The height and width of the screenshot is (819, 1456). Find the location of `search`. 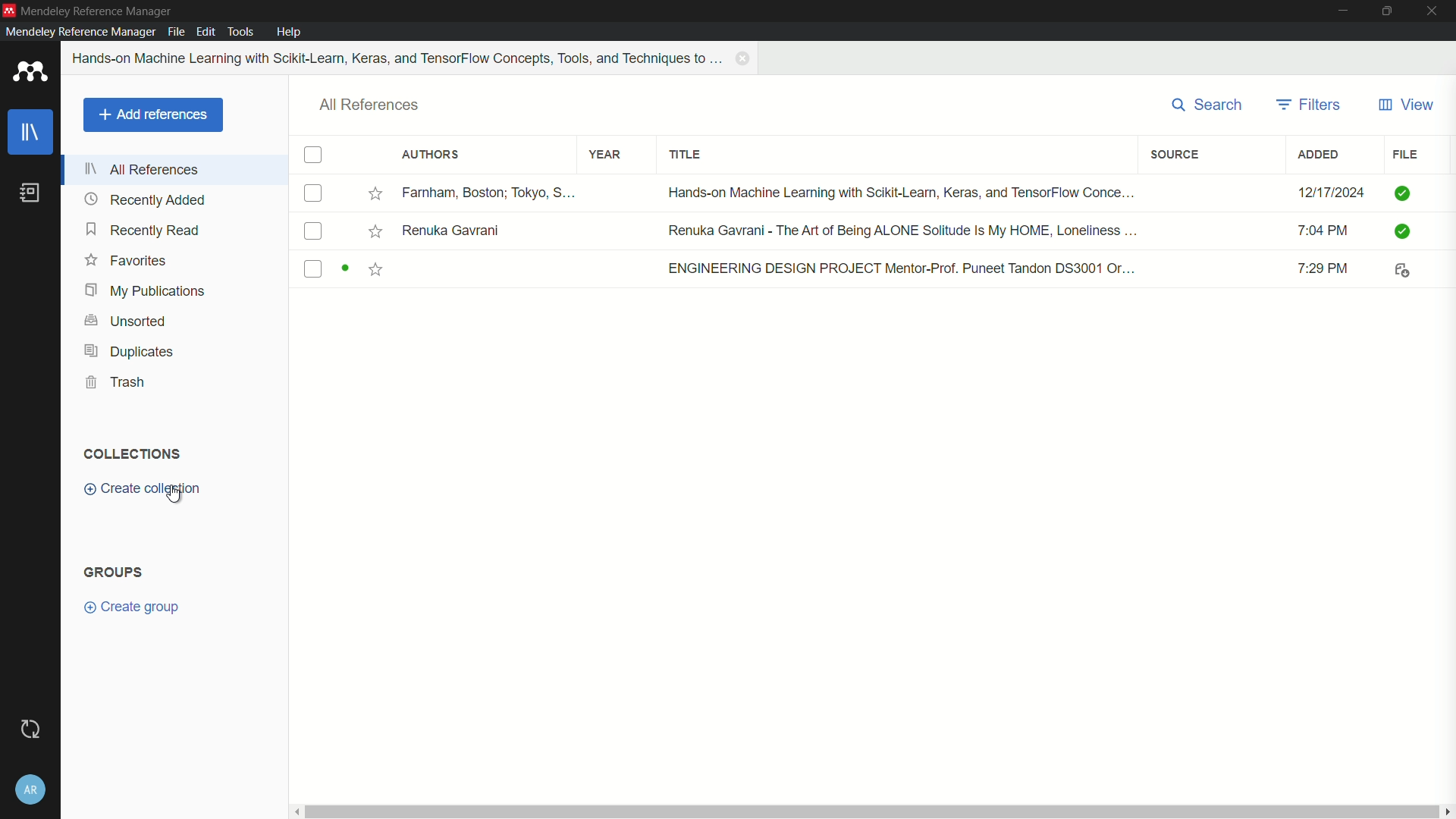

search is located at coordinates (1209, 105).